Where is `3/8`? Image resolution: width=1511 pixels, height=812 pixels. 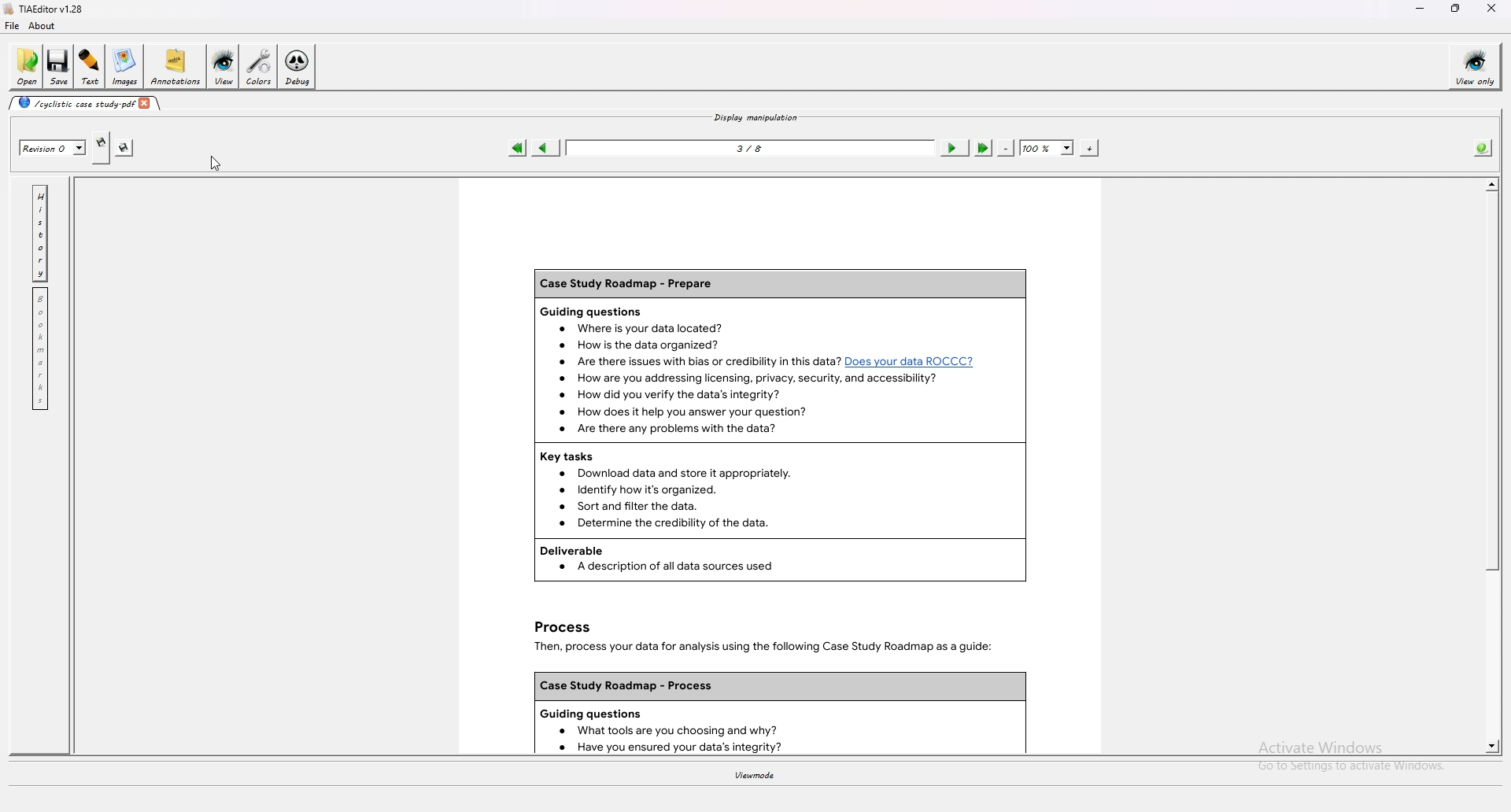 3/8 is located at coordinates (751, 147).